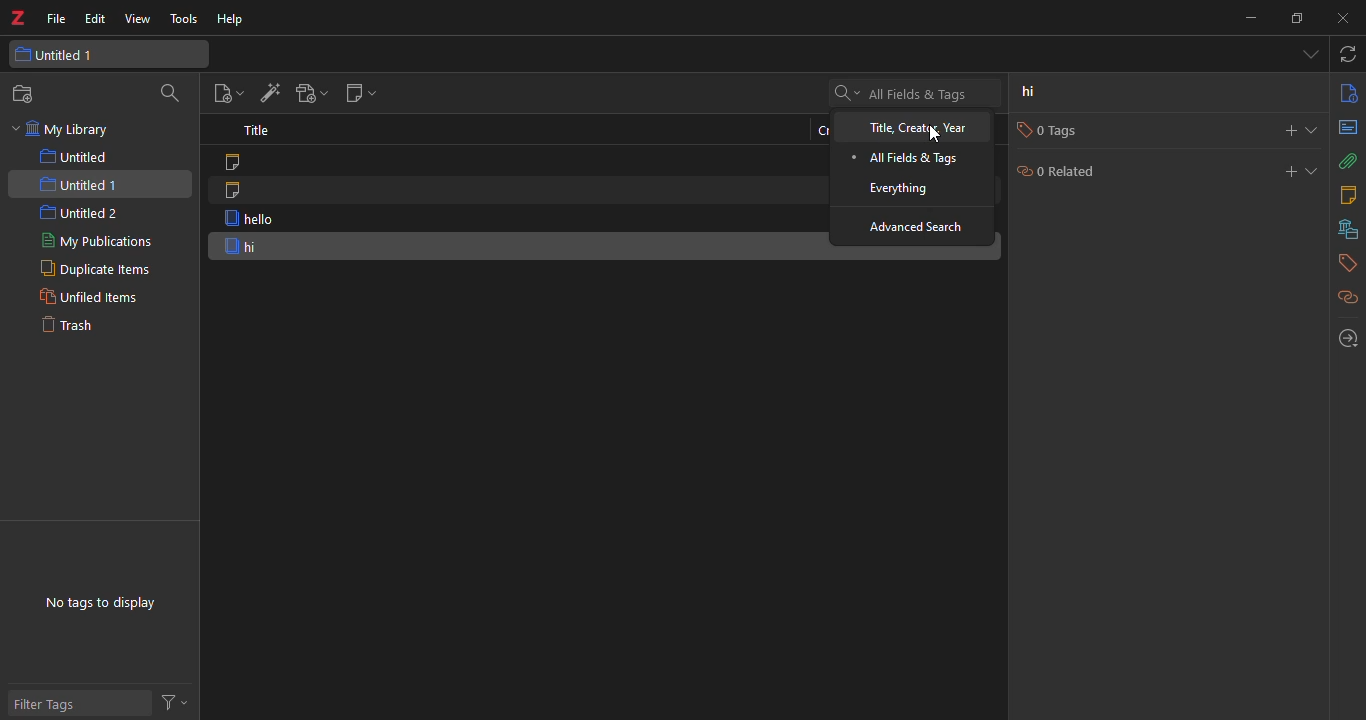 Image resolution: width=1366 pixels, height=720 pixels. Describe the element at coordinates (233, 21) in the screenshot. I see `help` at that location.